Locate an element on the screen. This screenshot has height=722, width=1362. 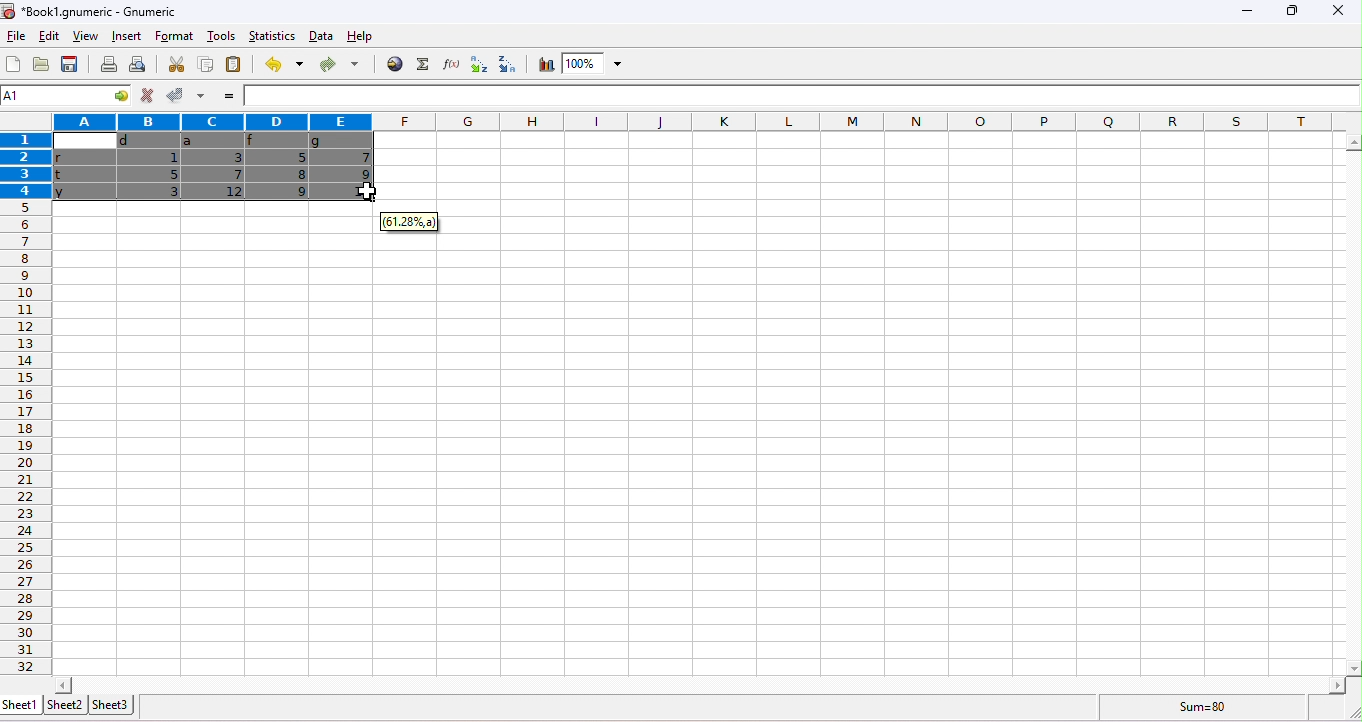
= is located at coordinates (231, 96).